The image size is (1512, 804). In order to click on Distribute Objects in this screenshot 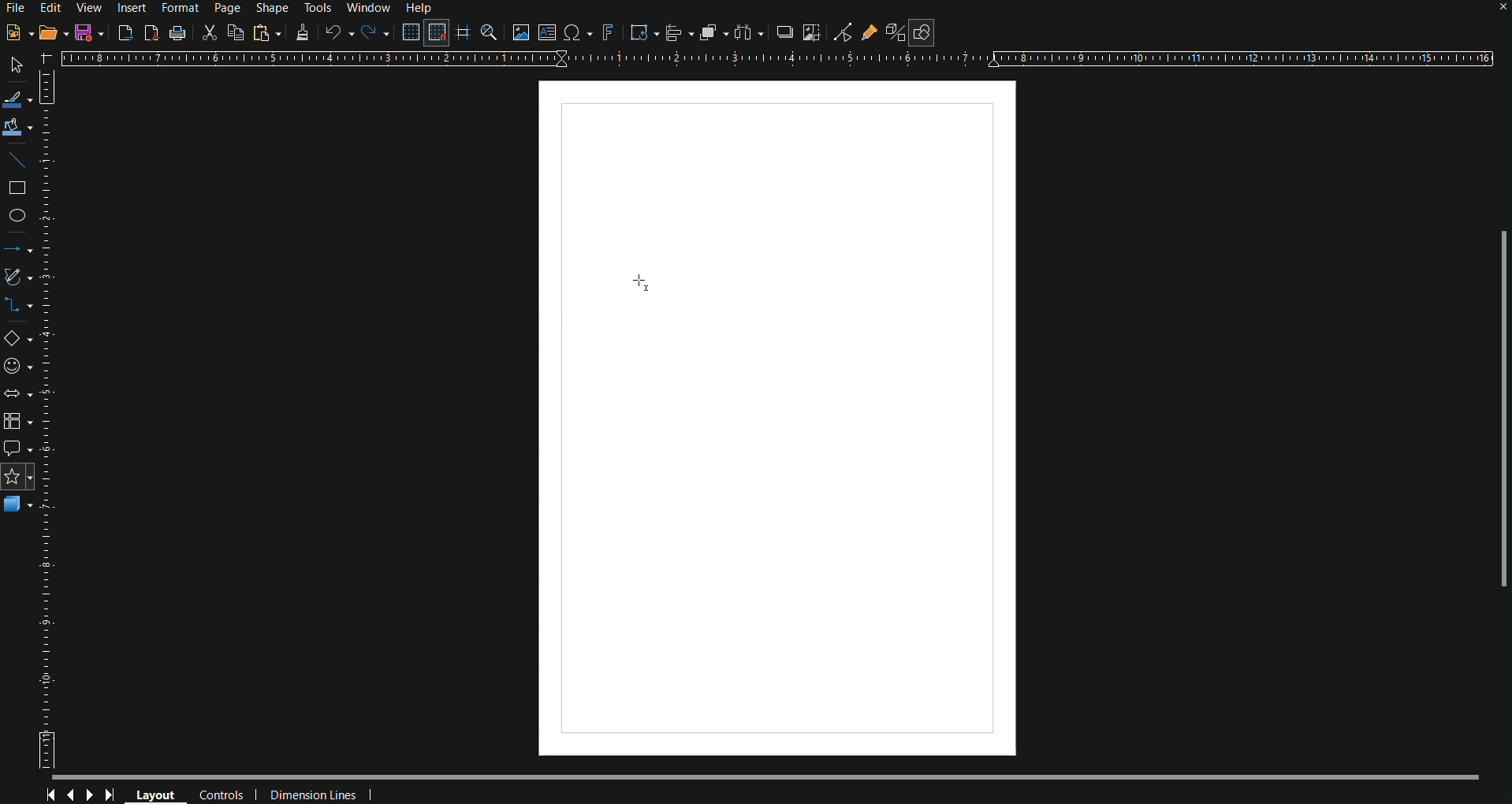, I will do `click(747, 35)`.